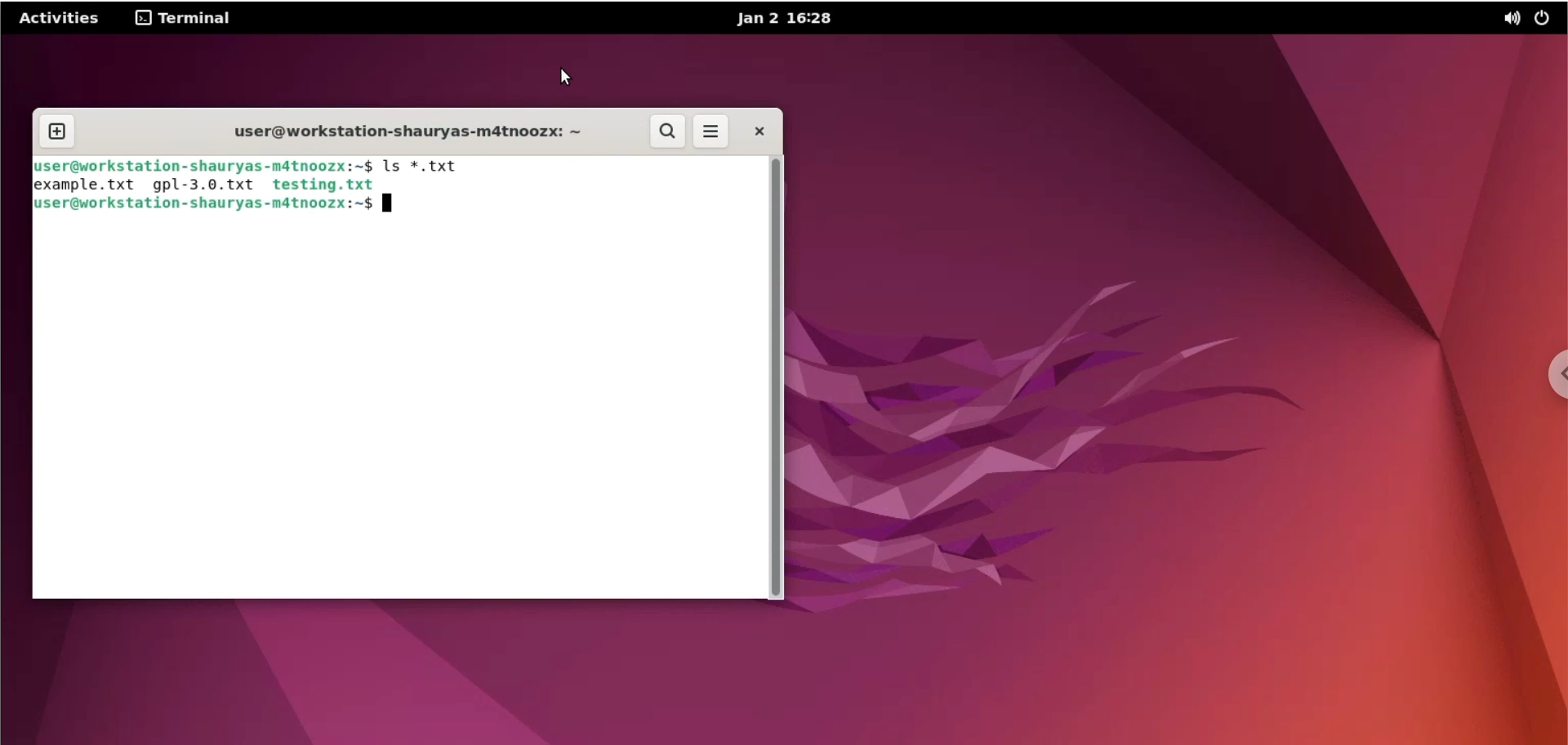  Describe the element at coordinates (784, 18) in the screenshot. I see `Jan 2 16:28` at that location.